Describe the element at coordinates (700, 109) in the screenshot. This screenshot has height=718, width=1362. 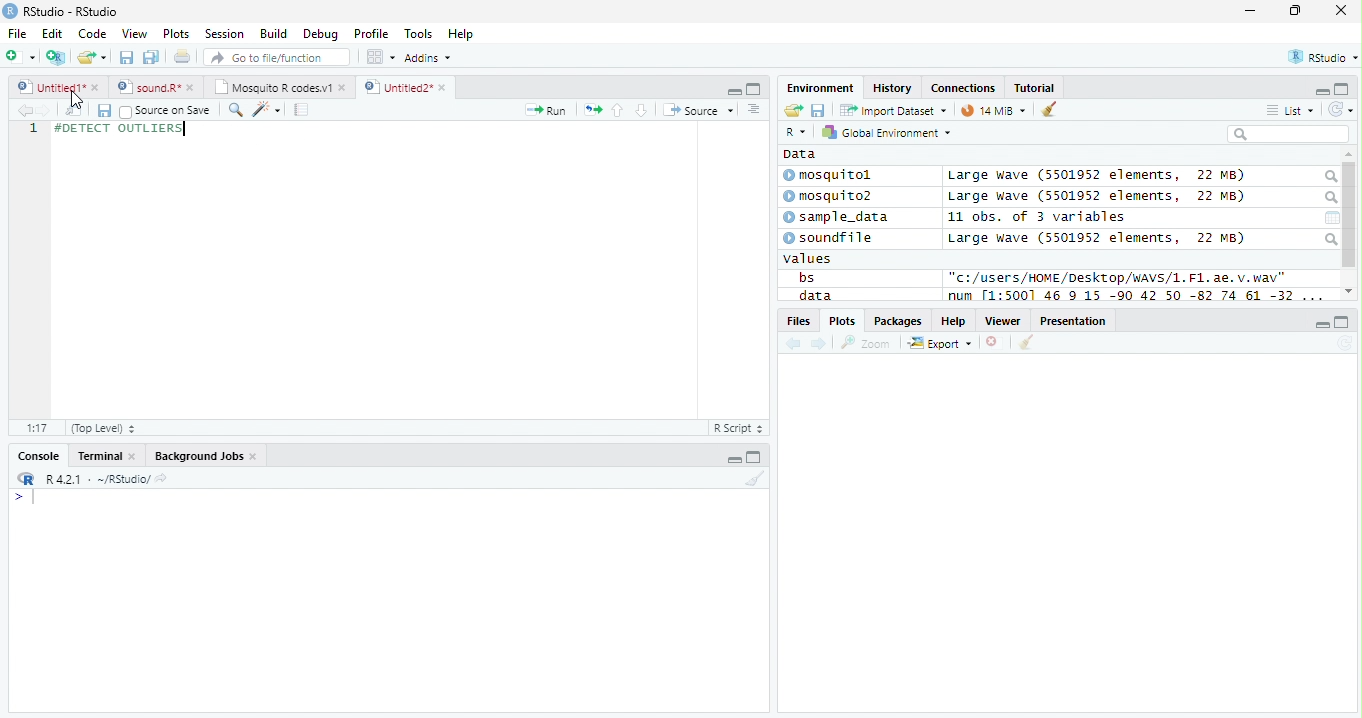
I see `Source` at that location.